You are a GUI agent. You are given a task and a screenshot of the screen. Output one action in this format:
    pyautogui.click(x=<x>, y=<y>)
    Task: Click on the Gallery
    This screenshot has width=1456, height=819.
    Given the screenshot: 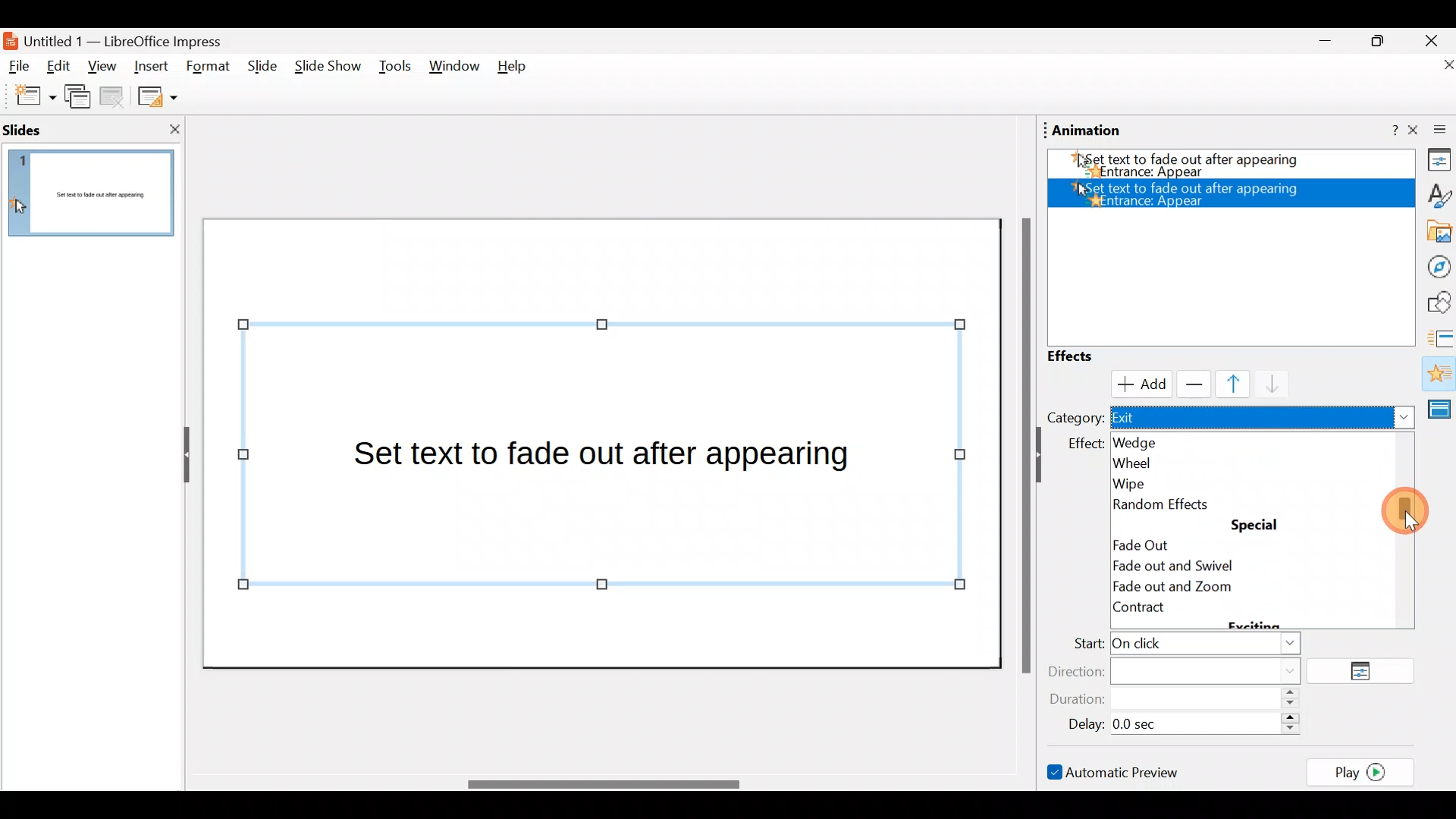 What is the action you would take?
    pyautogui.click(x=1436, y=232)
    